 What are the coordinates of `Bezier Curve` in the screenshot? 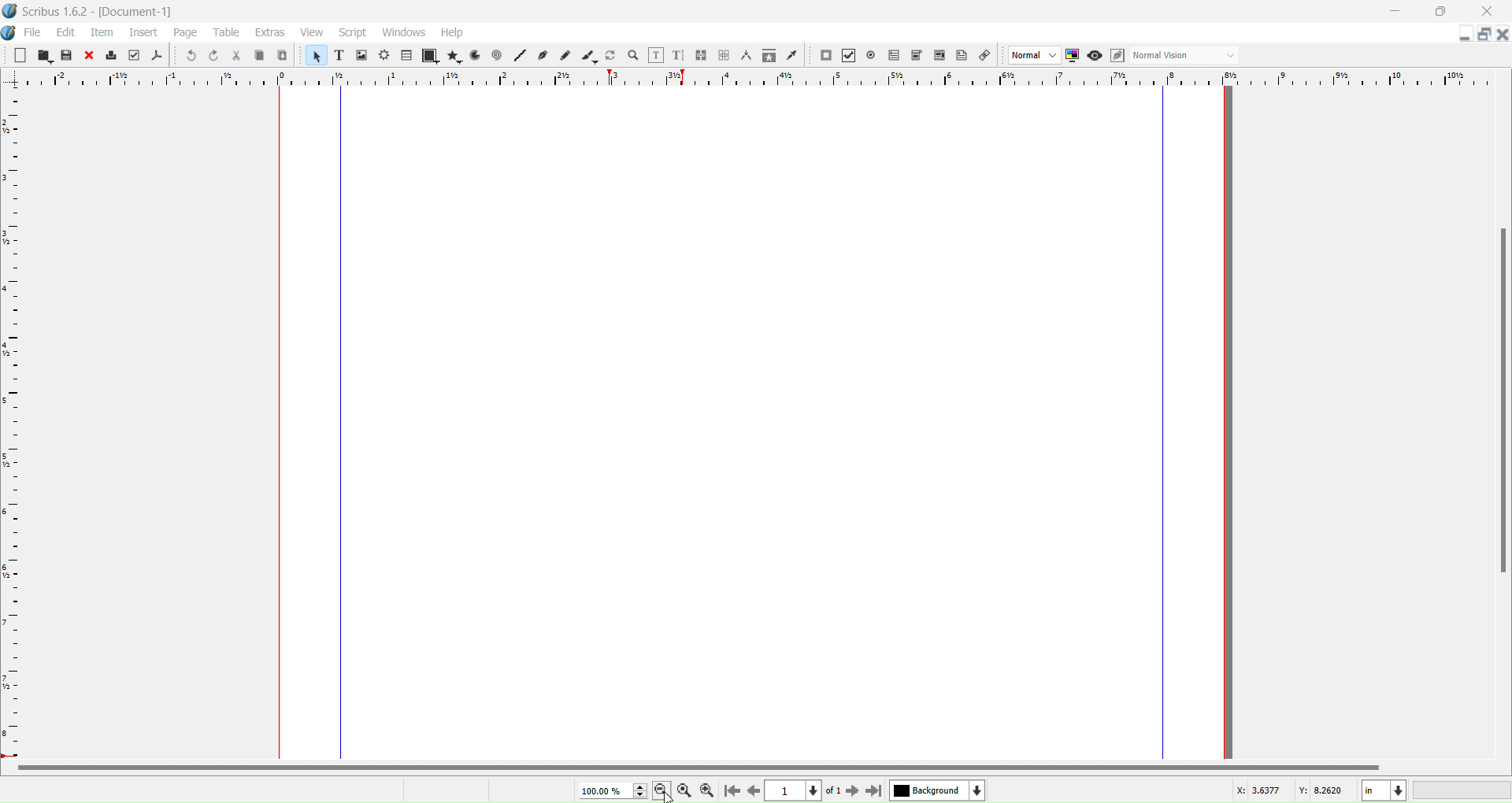 It's located at (543, 56).